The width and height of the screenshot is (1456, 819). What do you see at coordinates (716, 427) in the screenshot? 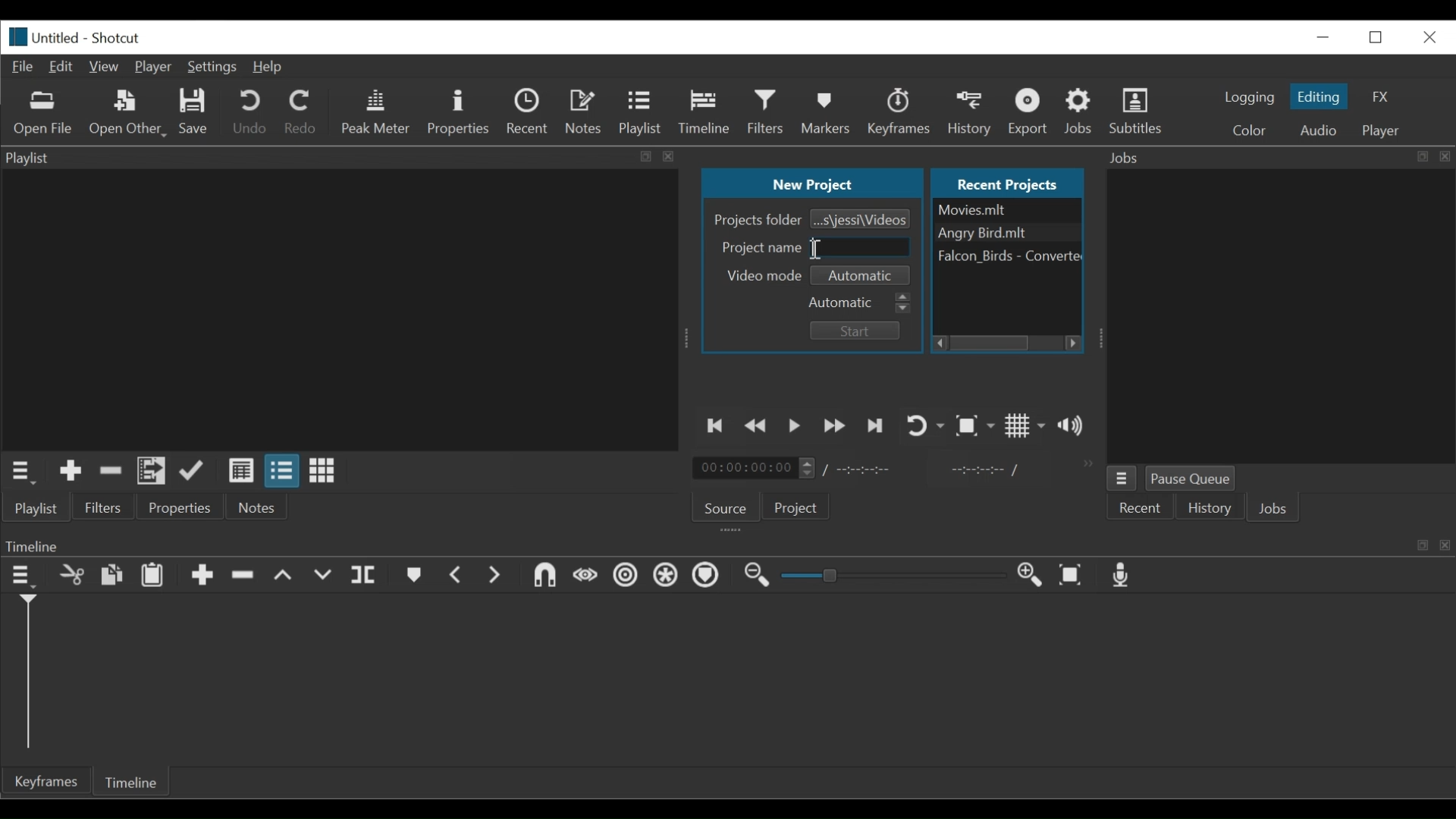
I see `Skip to the previous point` at bounding box center [716, 427].